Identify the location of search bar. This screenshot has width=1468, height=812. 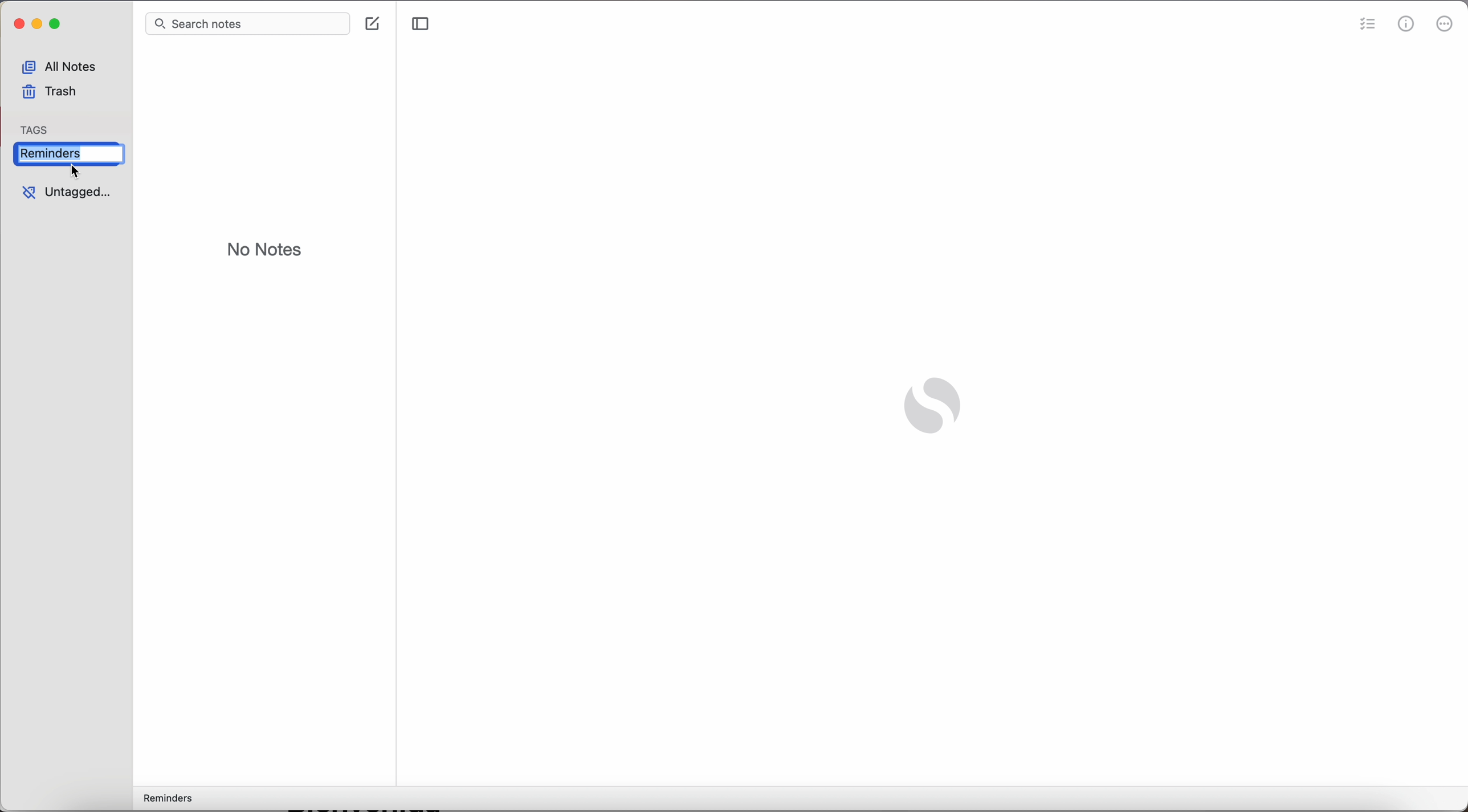
(250, 25).